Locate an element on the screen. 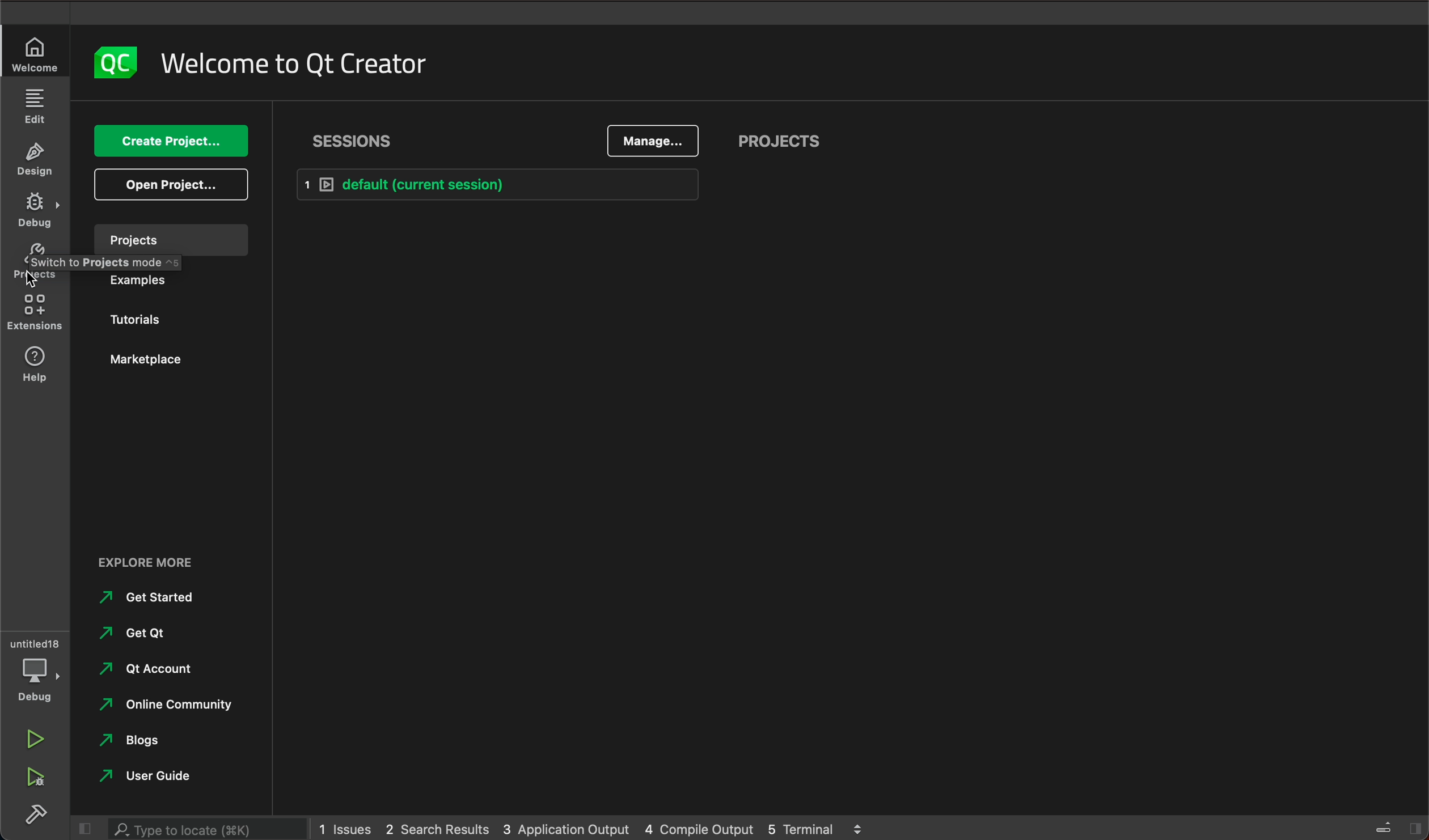 The height and width of the screenshot is (840, 1429). EDIT is located at coordinates (37, 105).